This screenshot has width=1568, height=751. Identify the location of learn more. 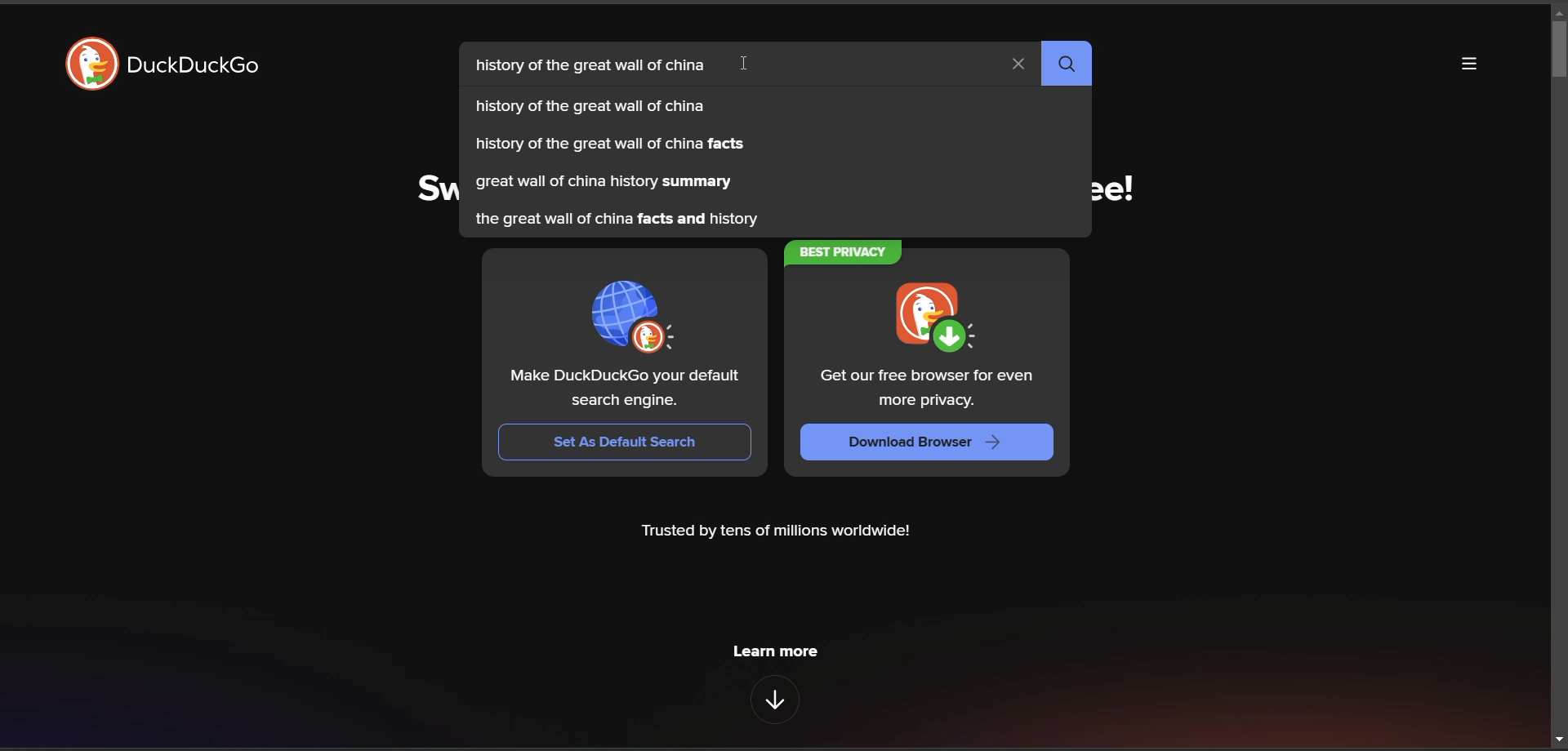
(777, 650).